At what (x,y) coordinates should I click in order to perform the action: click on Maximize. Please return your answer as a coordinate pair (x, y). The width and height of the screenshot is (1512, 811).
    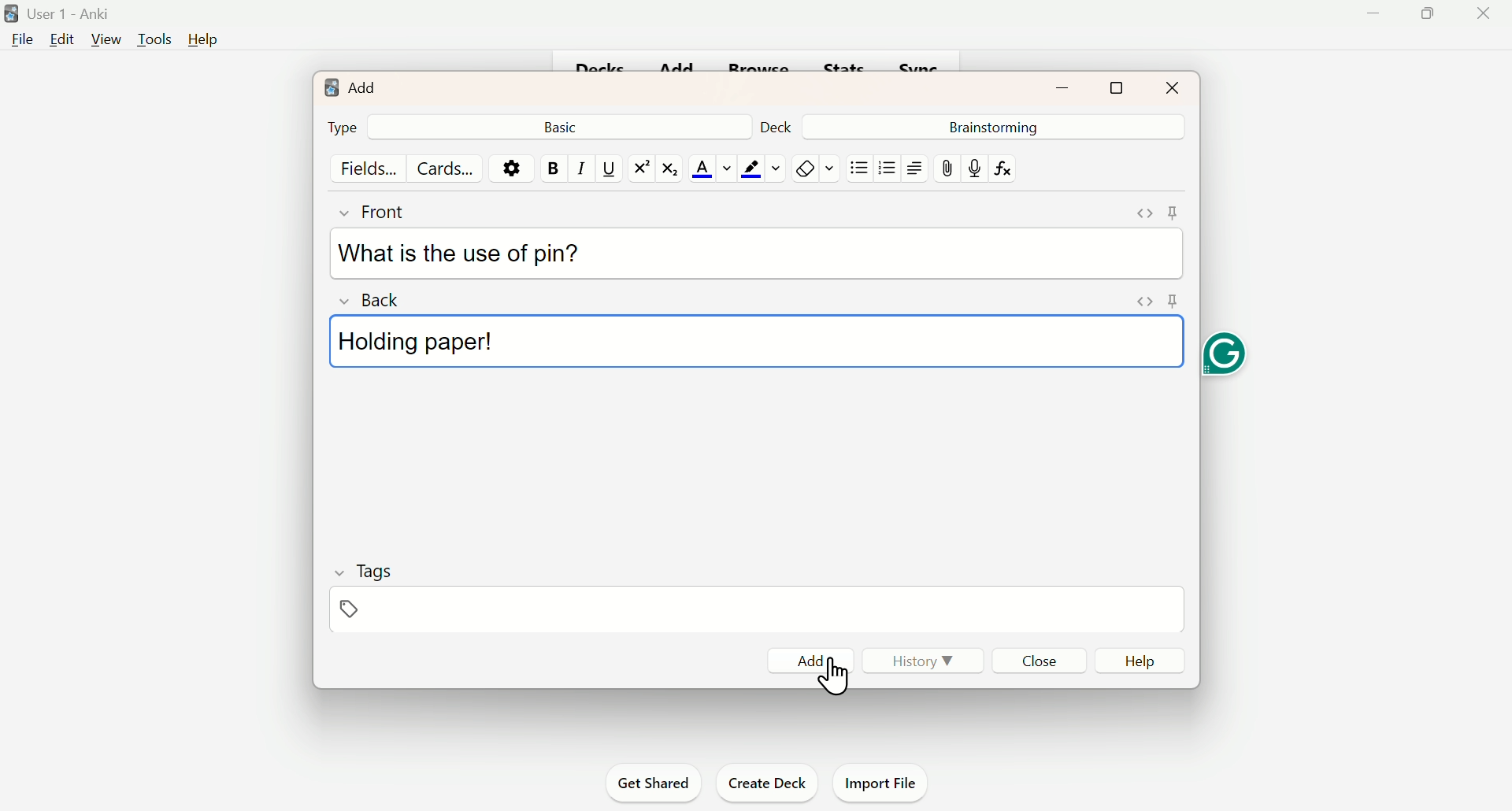
    Looking at the image, I should click on (1117, 85).